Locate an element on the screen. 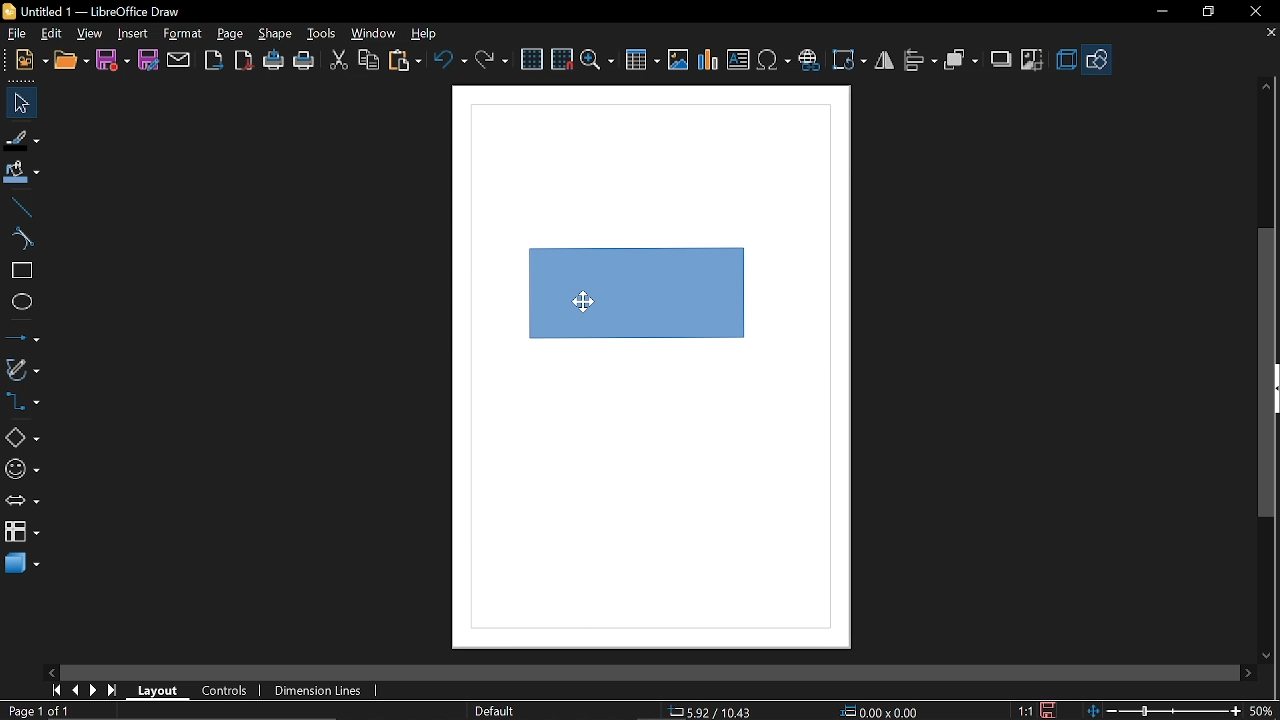  Move left is located at coordinates (51, 672).